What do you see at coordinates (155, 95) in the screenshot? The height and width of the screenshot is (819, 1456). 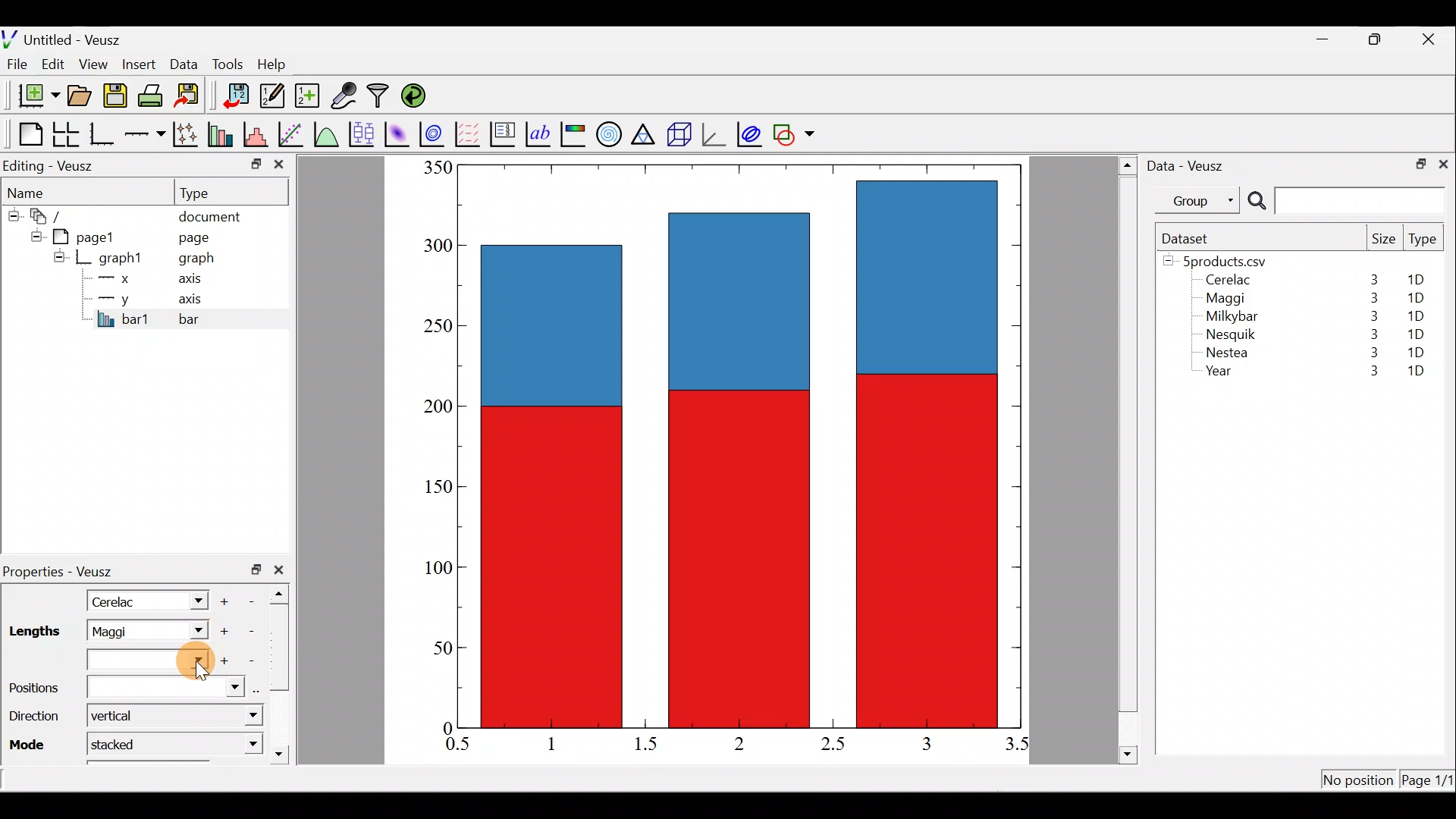 I see `Print the document` at bounding box center [155, 95].